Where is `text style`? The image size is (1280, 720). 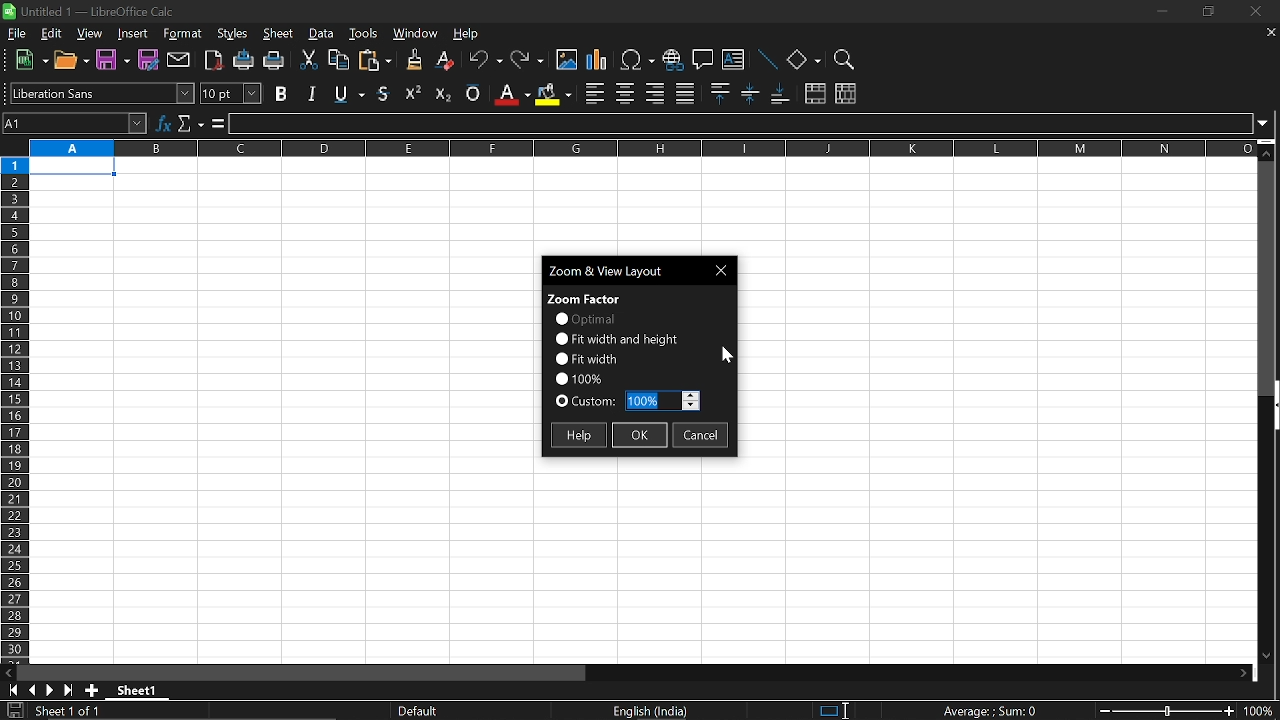 text style is located at coordinates (102, 93).